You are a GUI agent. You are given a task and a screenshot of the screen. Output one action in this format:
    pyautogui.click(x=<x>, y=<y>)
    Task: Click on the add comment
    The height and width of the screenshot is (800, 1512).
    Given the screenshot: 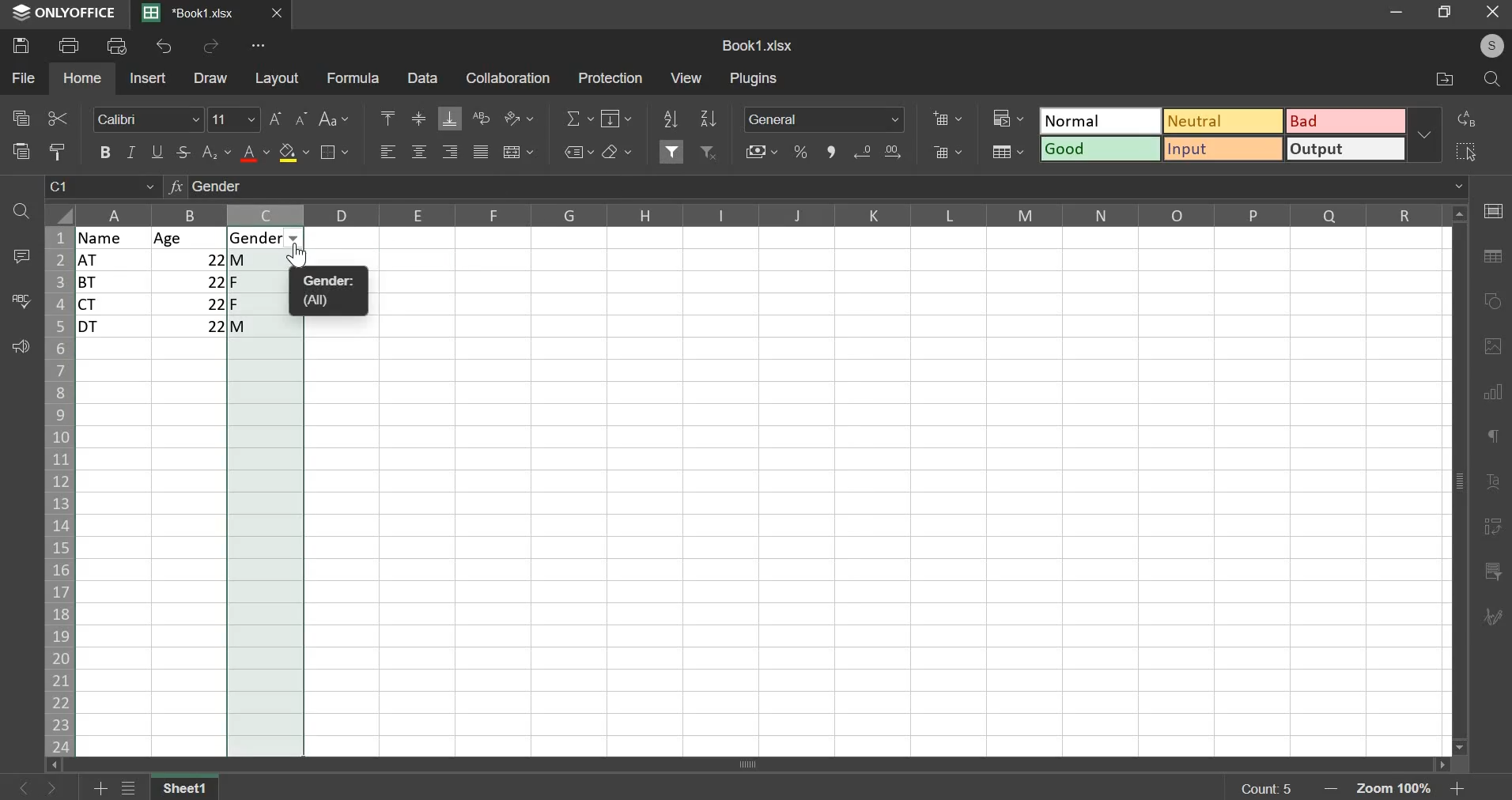 What is the action you would take?
    pyautogui.click(x=18, y=255)
    